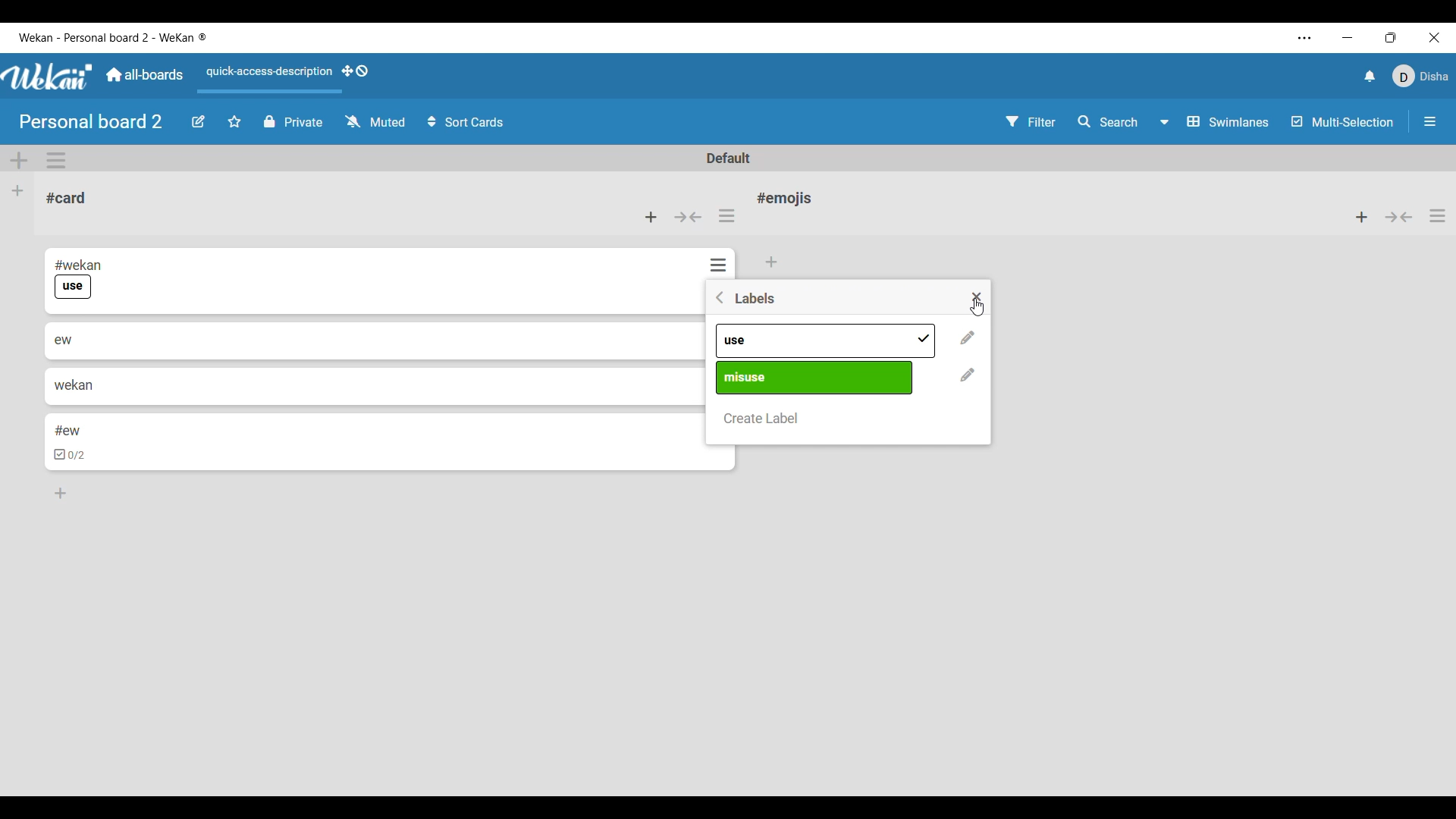 This screenshot has height=819, width=1456. I want to click on Card name, so click(66, 198).